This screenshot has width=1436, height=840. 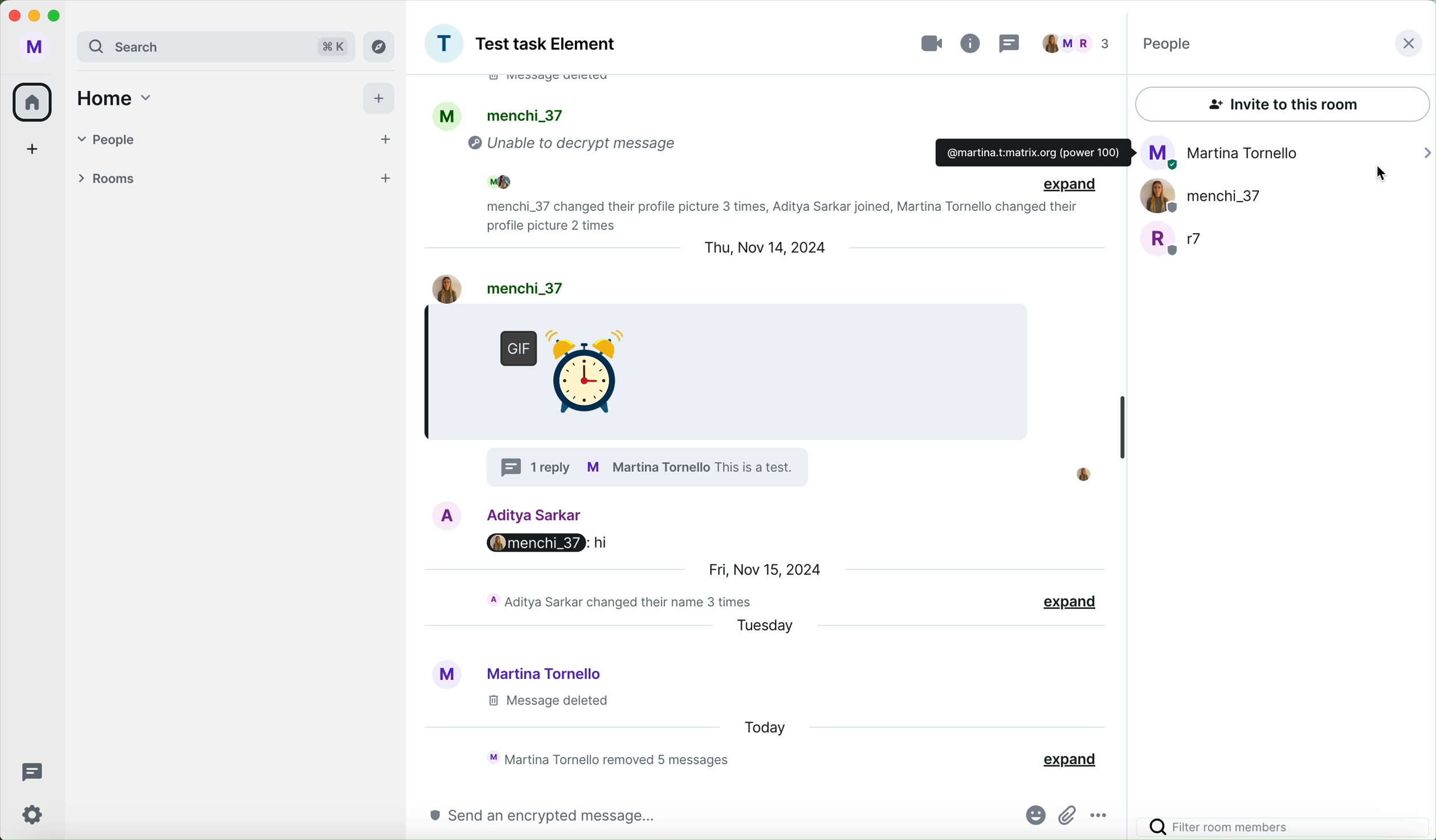 What do you see at coordinates (765, 629) in the screenshot?
I see `tuesday` at bounding box center [765, 629].